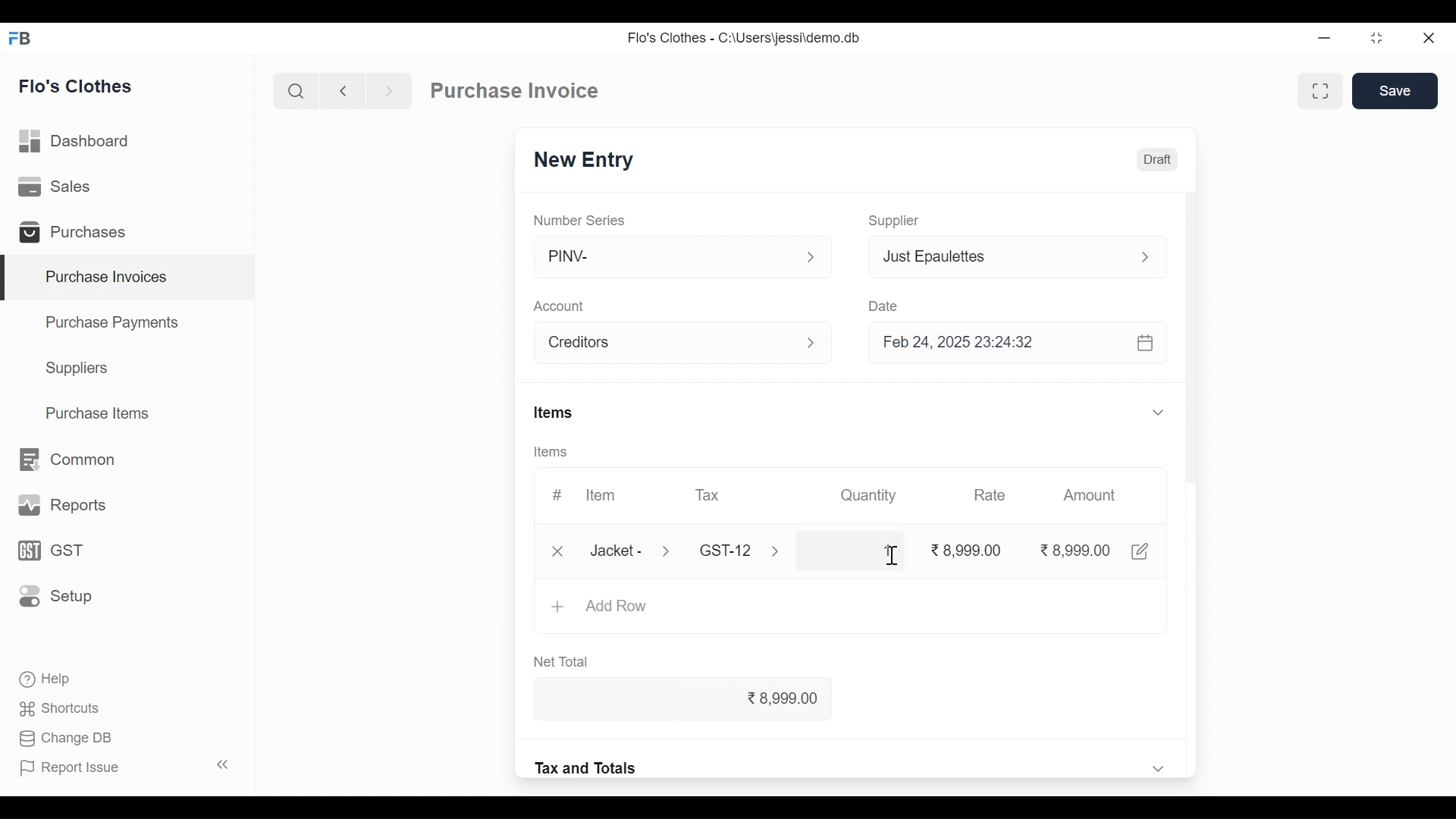 Image resolution: width=1456 pixels, height=819 pixels. I want to click on Expand, so click(783, 553).